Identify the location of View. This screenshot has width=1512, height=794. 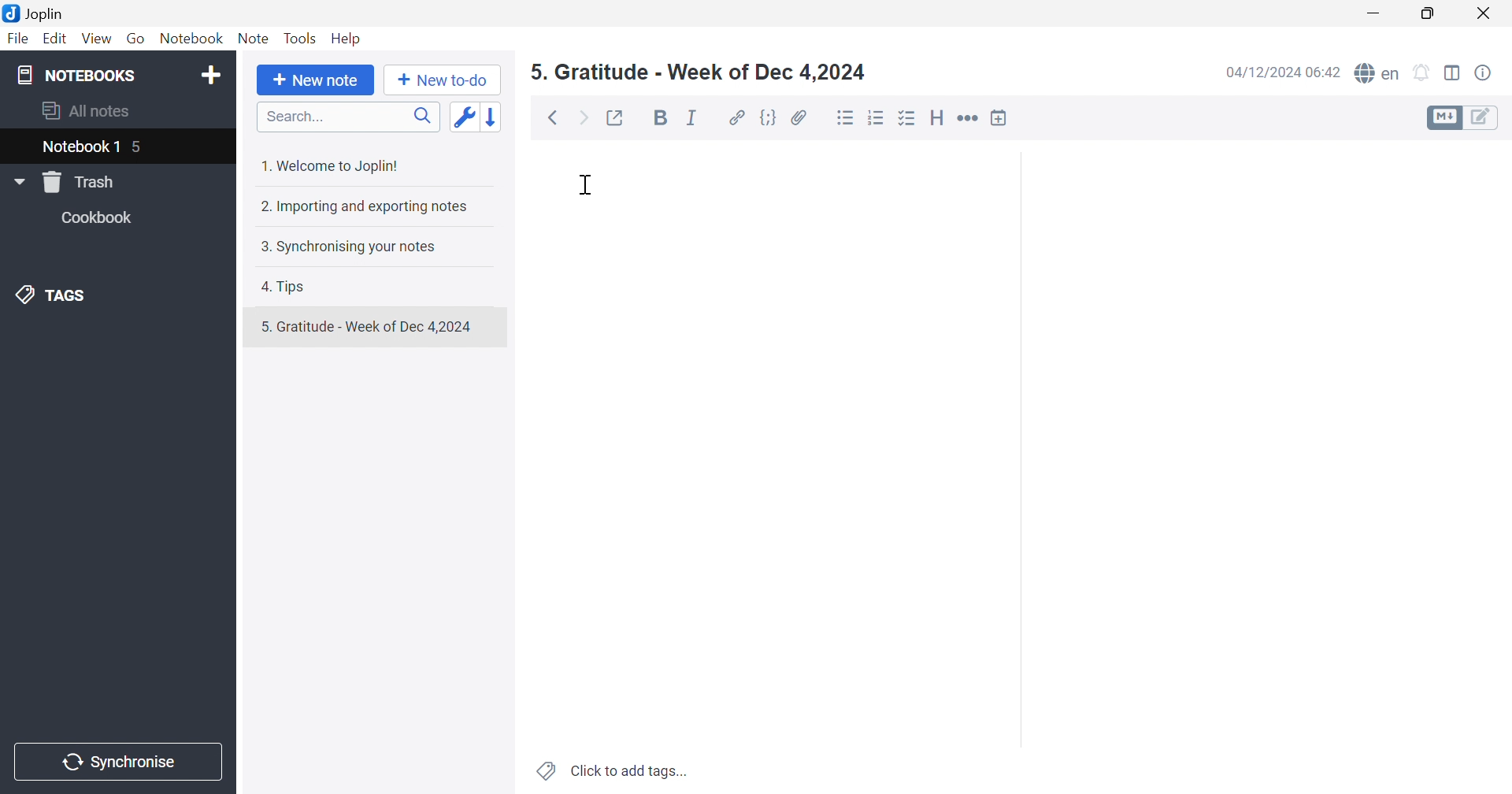
(96, 40).